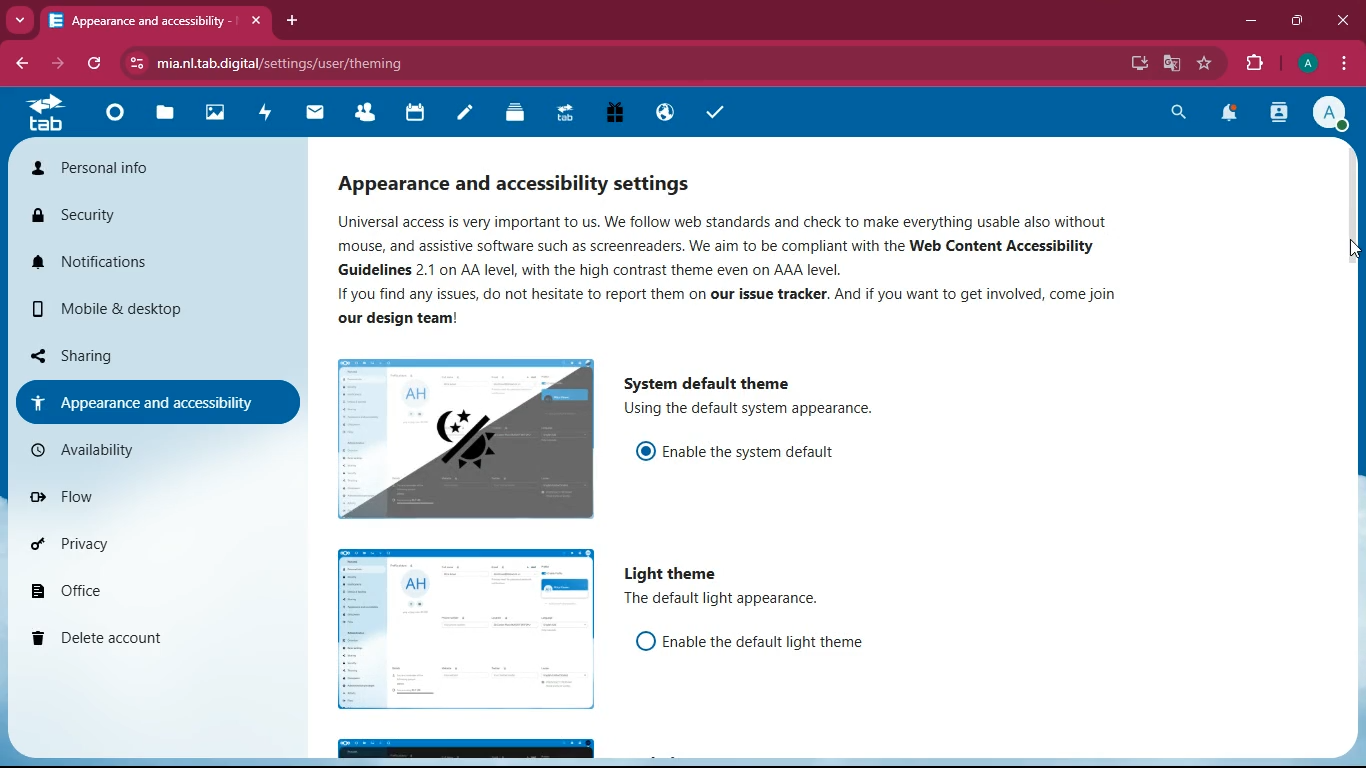 This screenshot has width=1366, height=768. I want to click on notifications, so click(143, 263).